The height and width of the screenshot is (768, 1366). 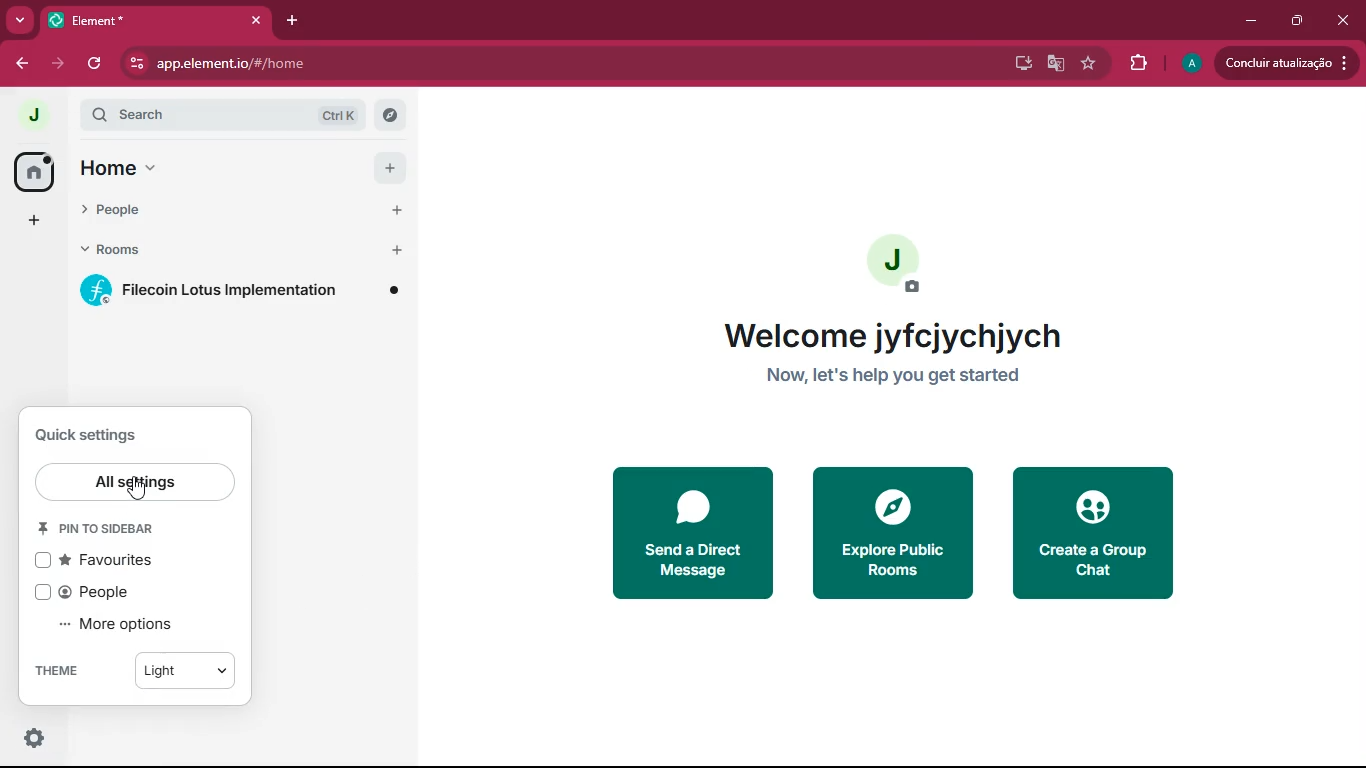 I want to click on cursor on all settings, so click(x=139, y=490).